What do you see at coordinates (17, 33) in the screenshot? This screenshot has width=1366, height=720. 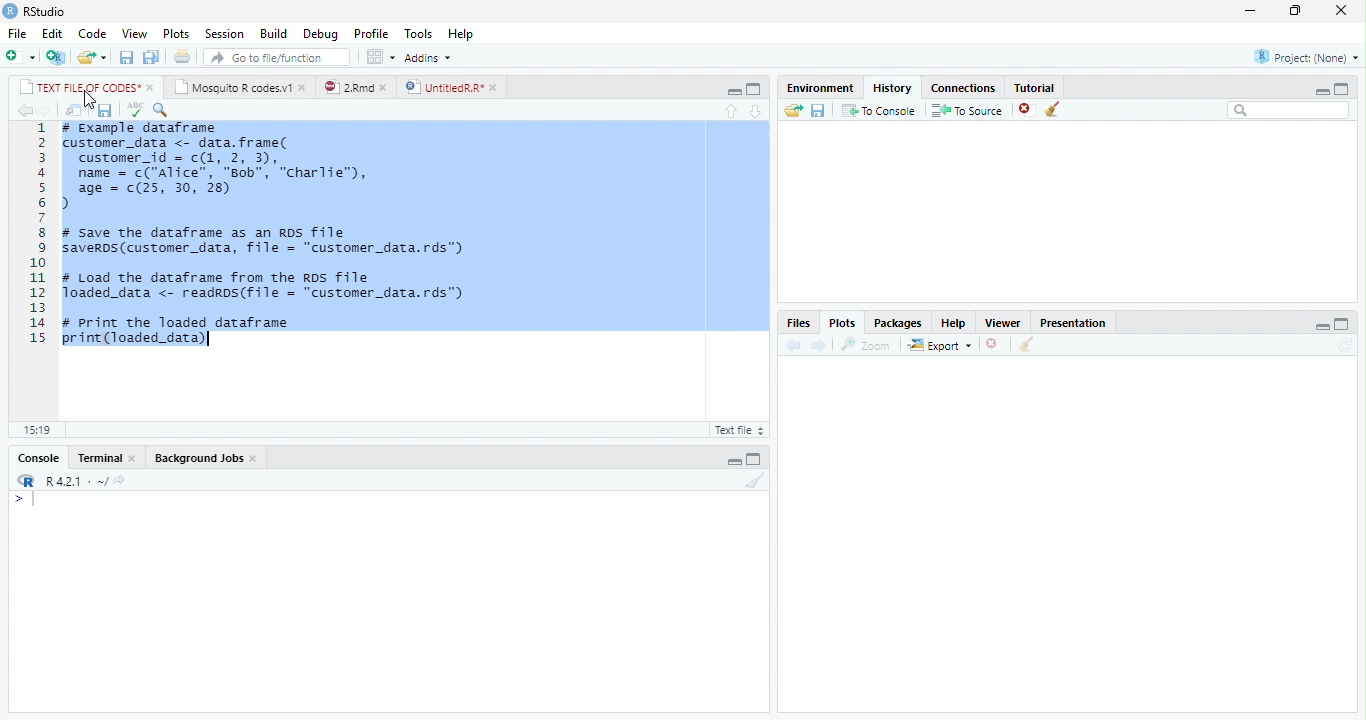 I see `File` at bounding box center [17, 33].